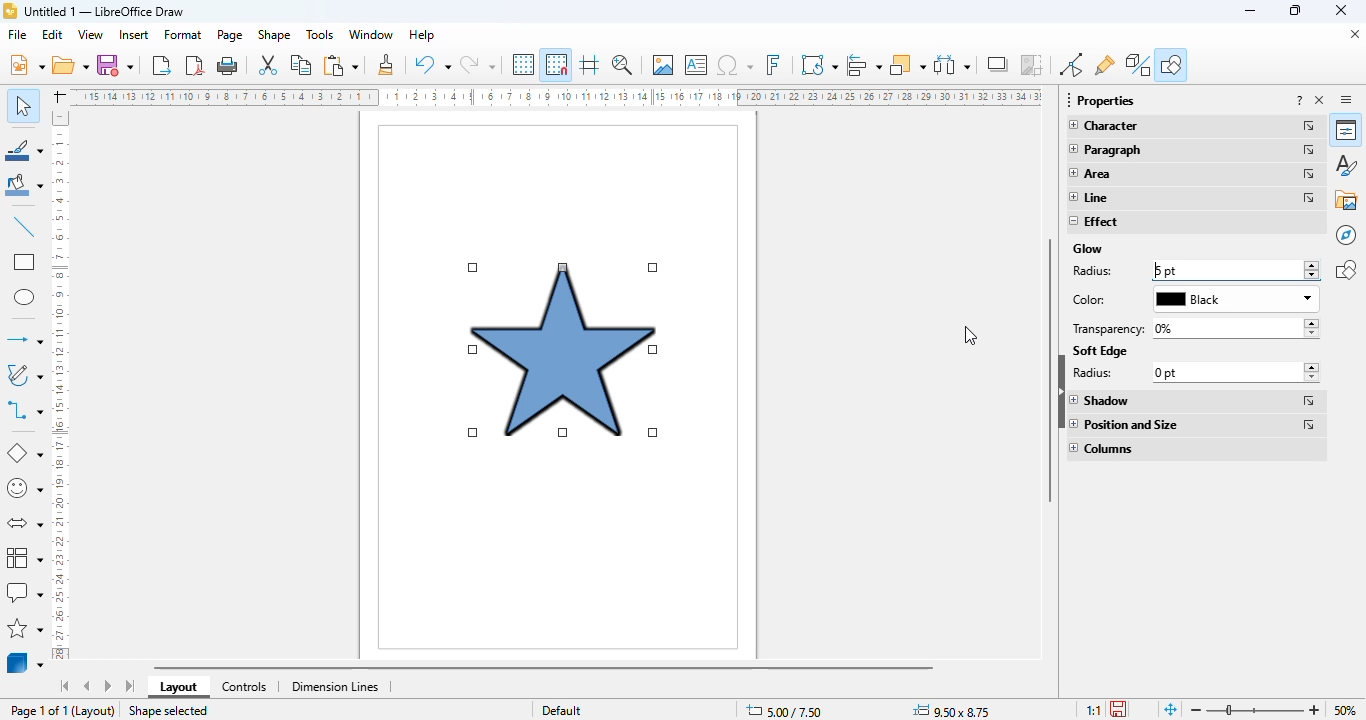 The height and width of the screenshot is (720, 1366). What do you see at coordinates (432, 64) in the screenshot?
I see `undo` at bounding box center [432, 64].